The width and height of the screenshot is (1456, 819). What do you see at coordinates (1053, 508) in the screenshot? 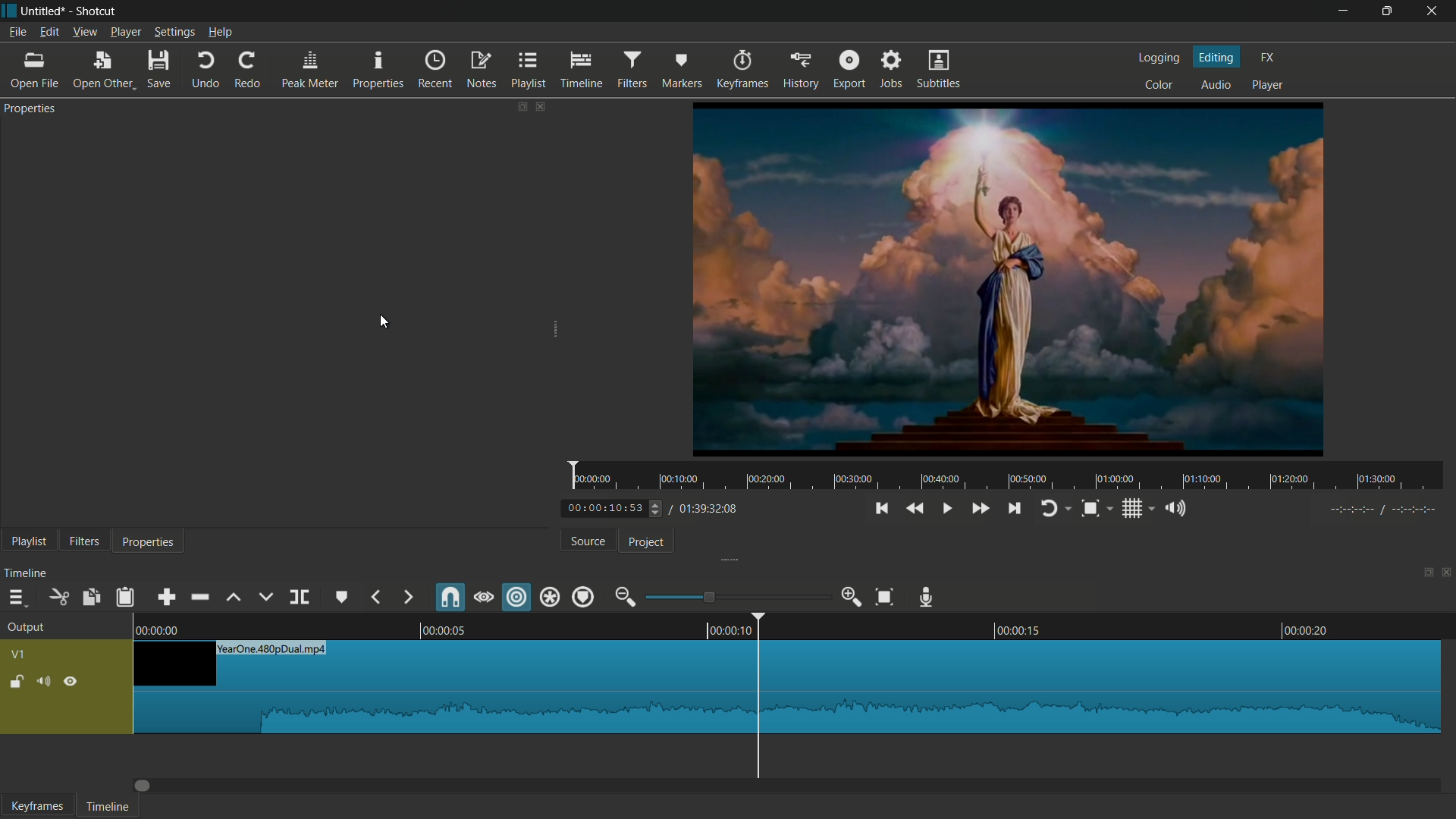
I see `toggle player looping` at bounding box center [1053, 508].